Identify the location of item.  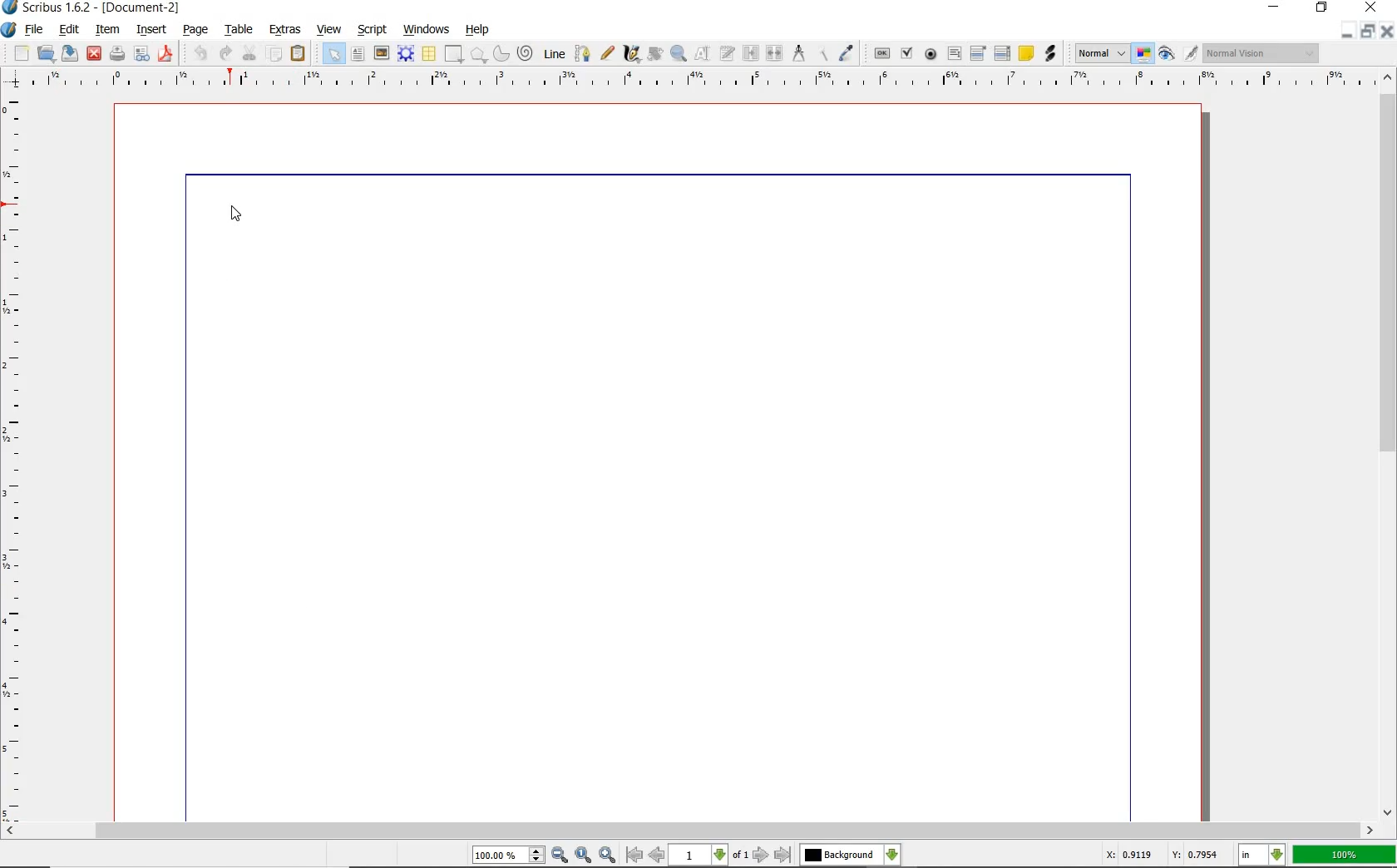
(111, 31).